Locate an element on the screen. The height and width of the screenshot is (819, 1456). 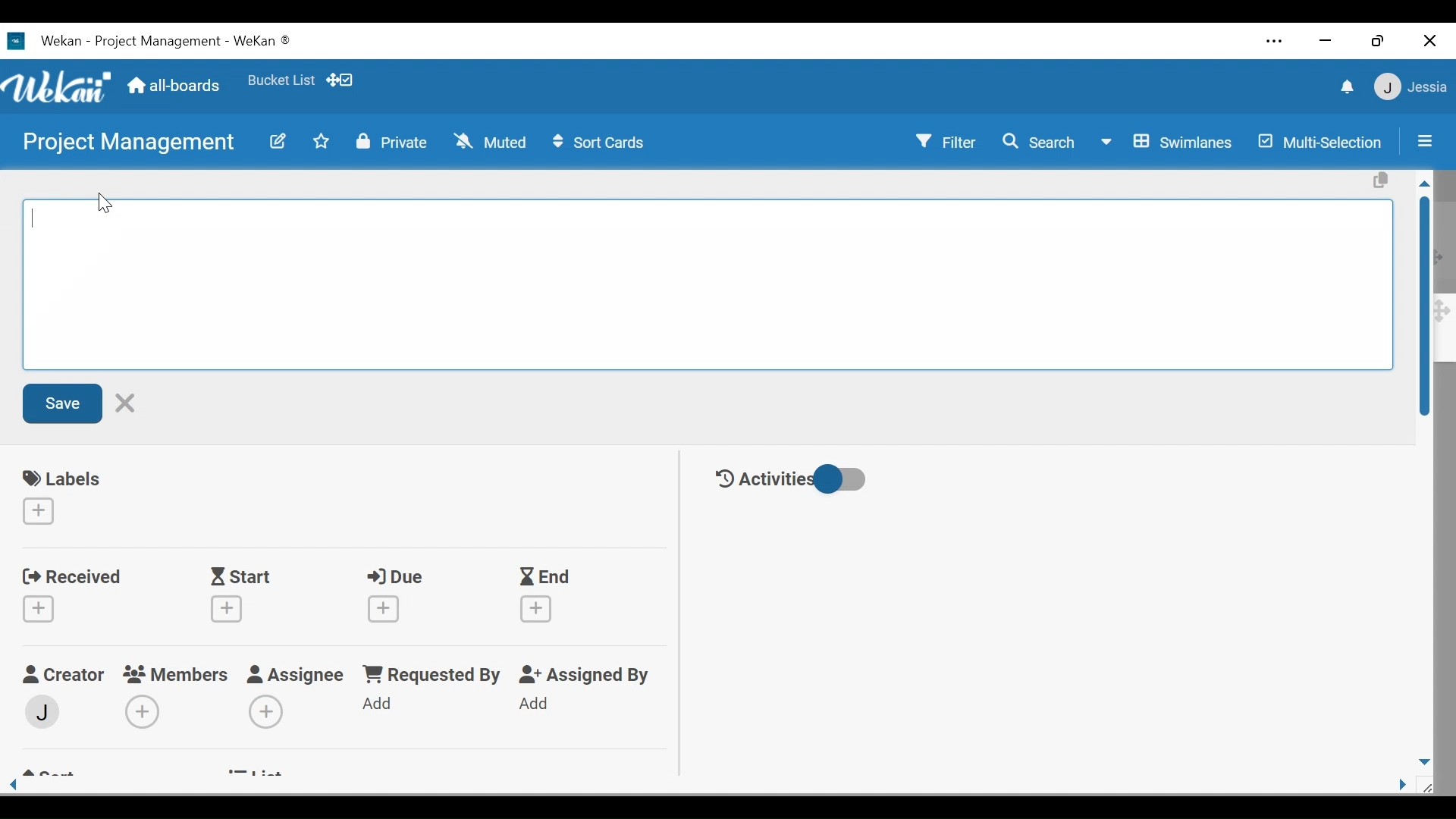
Muted is located at coordinates (489, 143).